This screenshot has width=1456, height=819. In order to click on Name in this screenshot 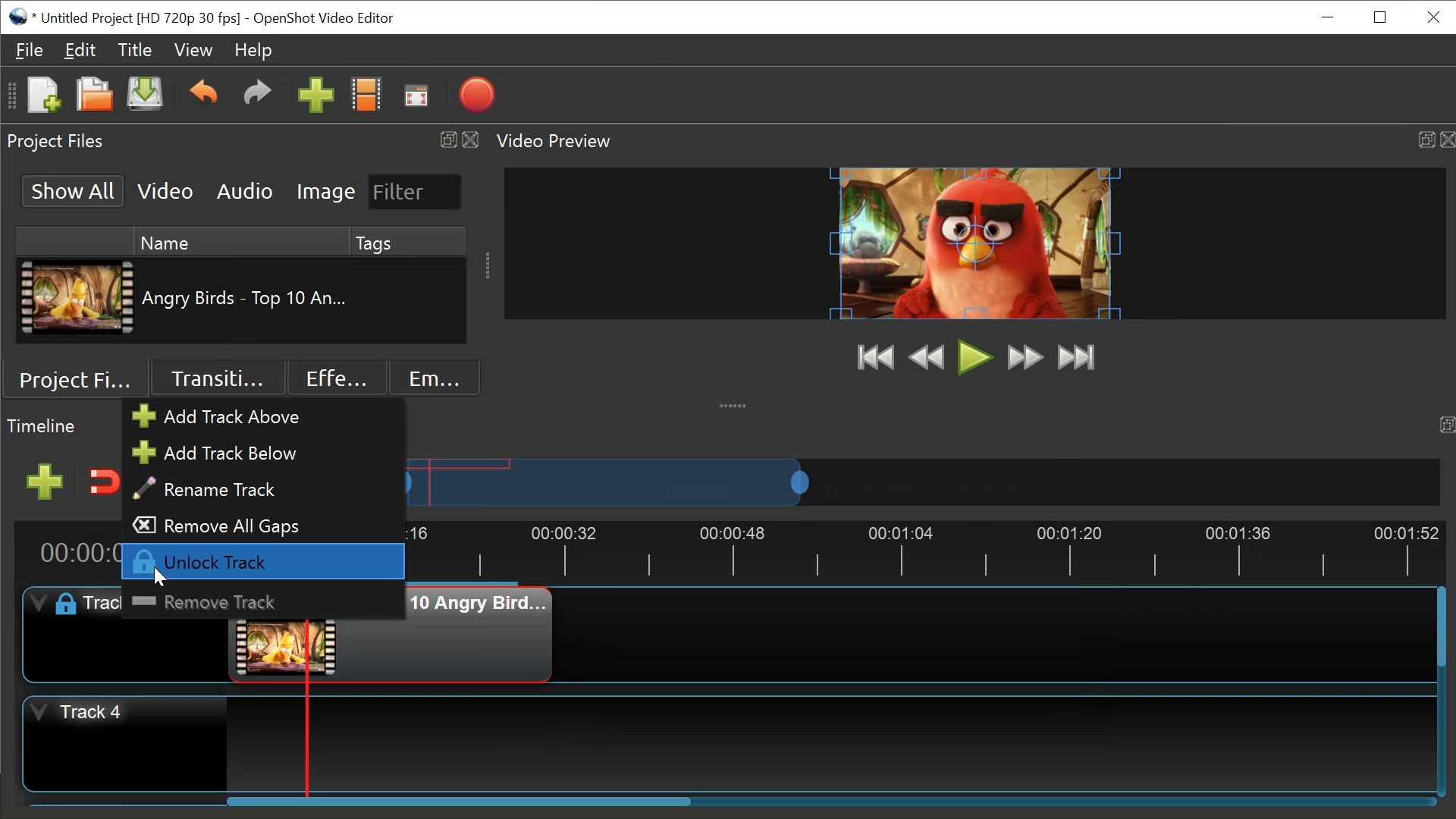, I will do `click(240, 242)`.